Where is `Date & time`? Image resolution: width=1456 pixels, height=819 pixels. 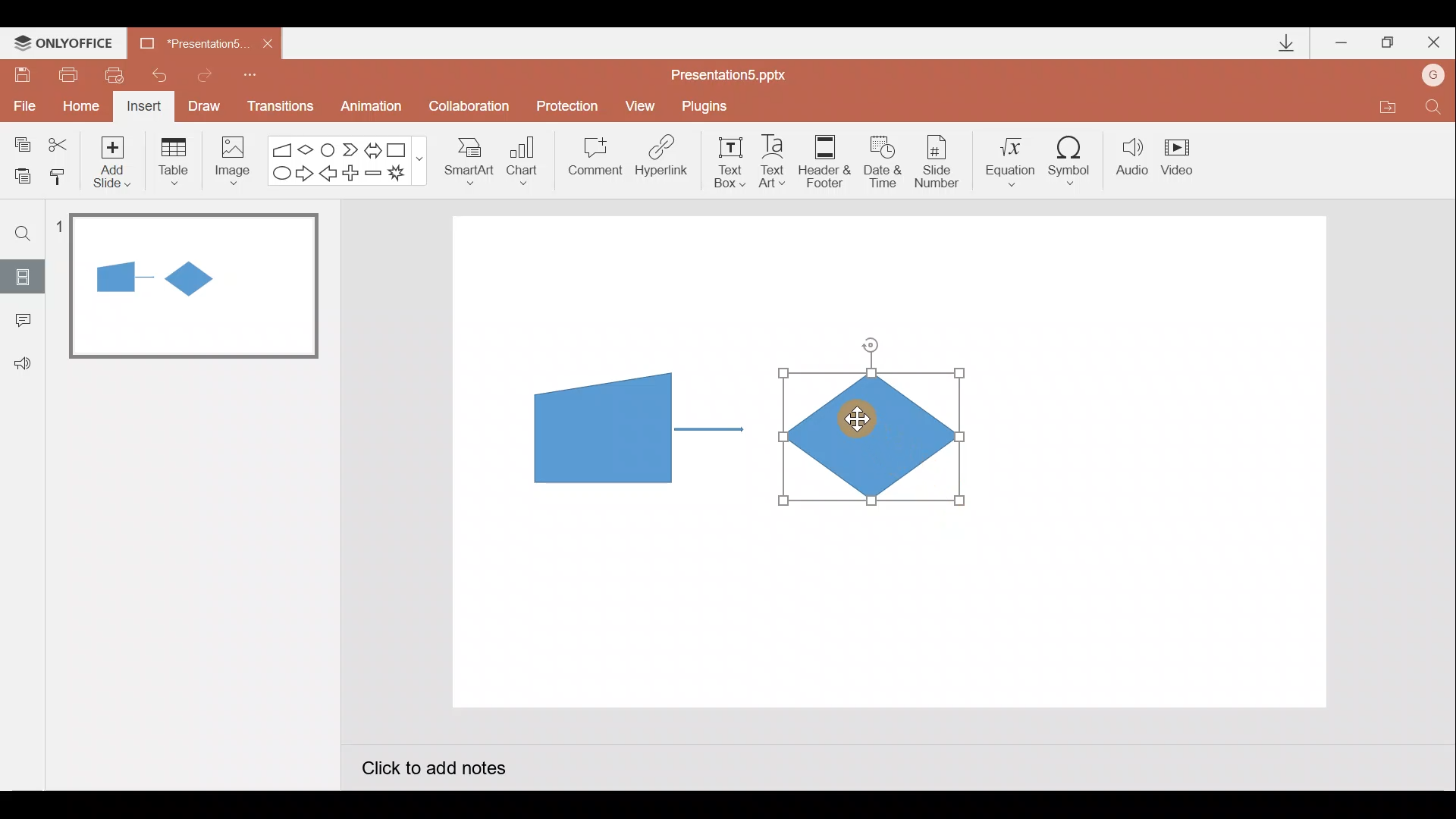 Date & time is located at coordinates (881, 158).